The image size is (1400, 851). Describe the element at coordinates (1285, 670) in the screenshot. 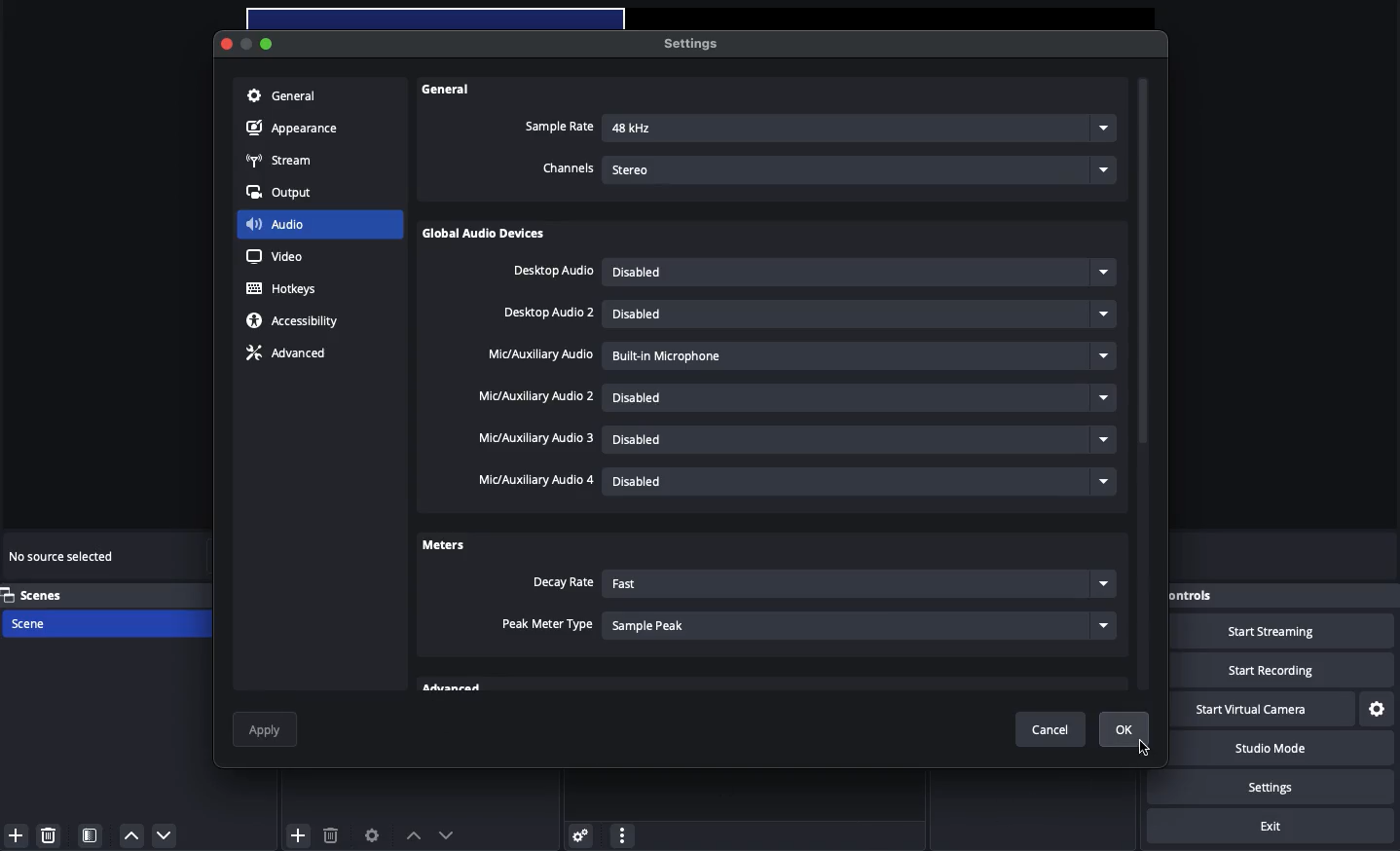

I see `Start recording` at that location.